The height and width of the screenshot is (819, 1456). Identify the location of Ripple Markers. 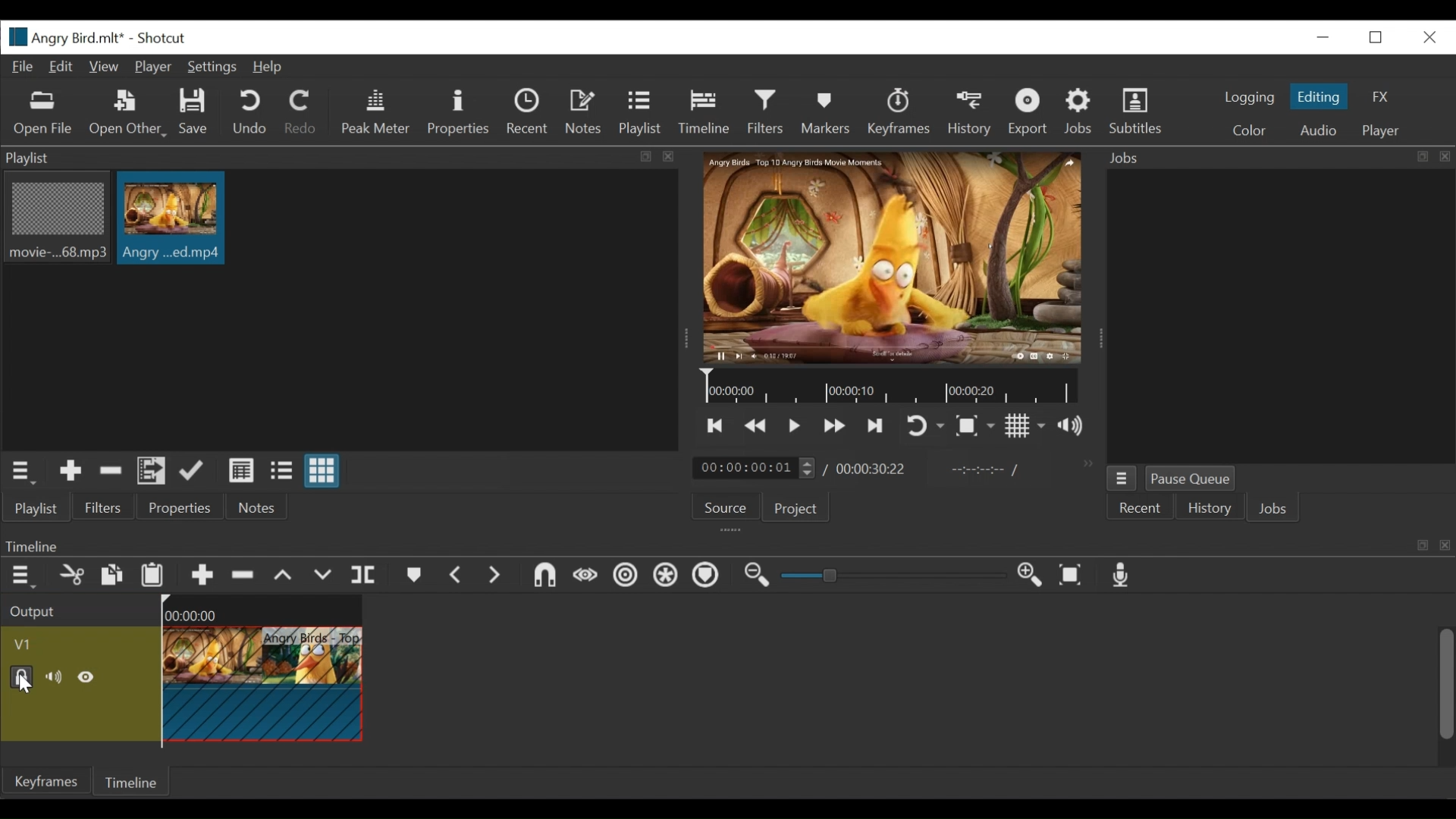
(708, 576).